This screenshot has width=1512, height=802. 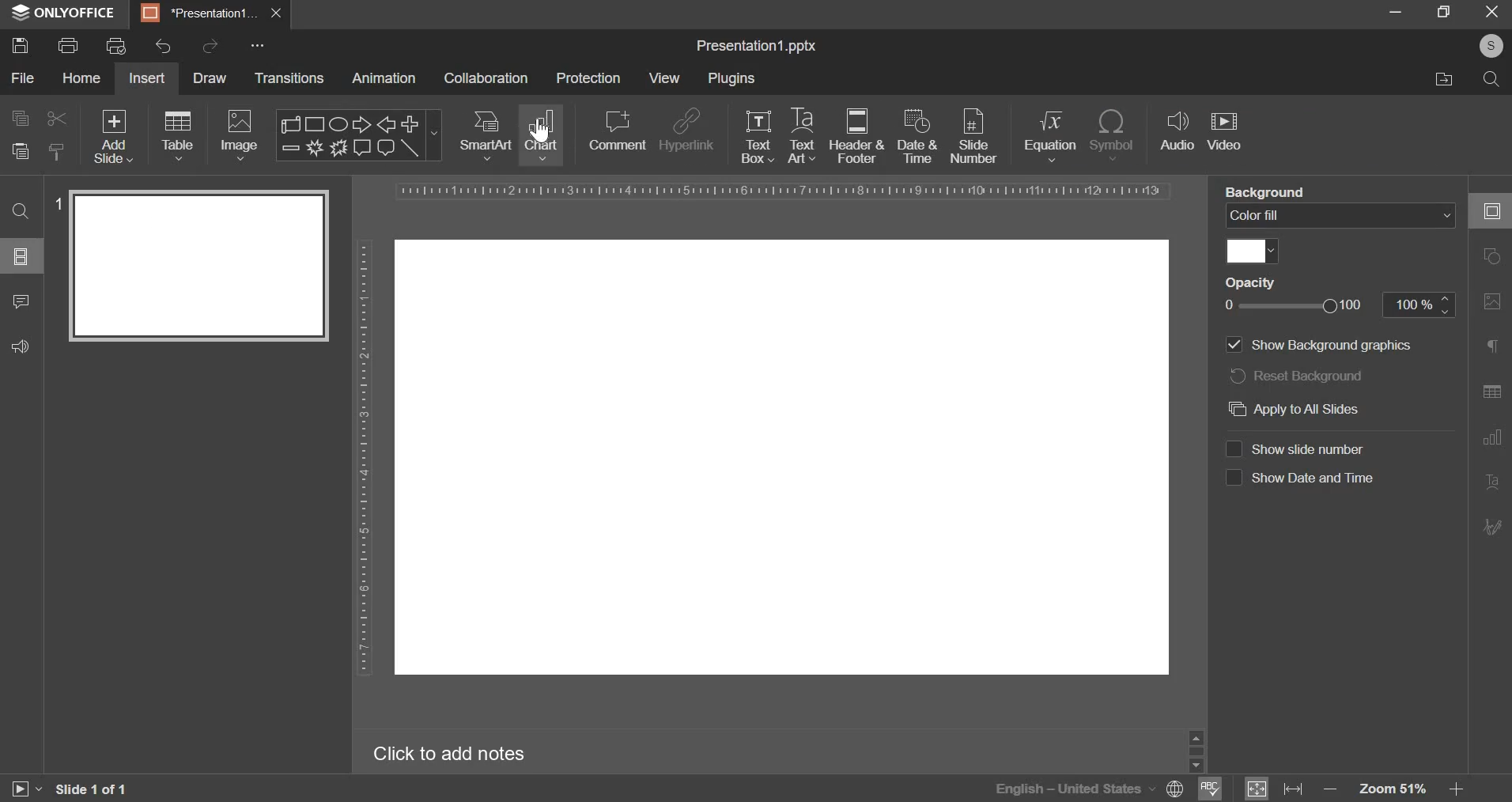 I want to click on zoom out, so click(x=1330, y=784).